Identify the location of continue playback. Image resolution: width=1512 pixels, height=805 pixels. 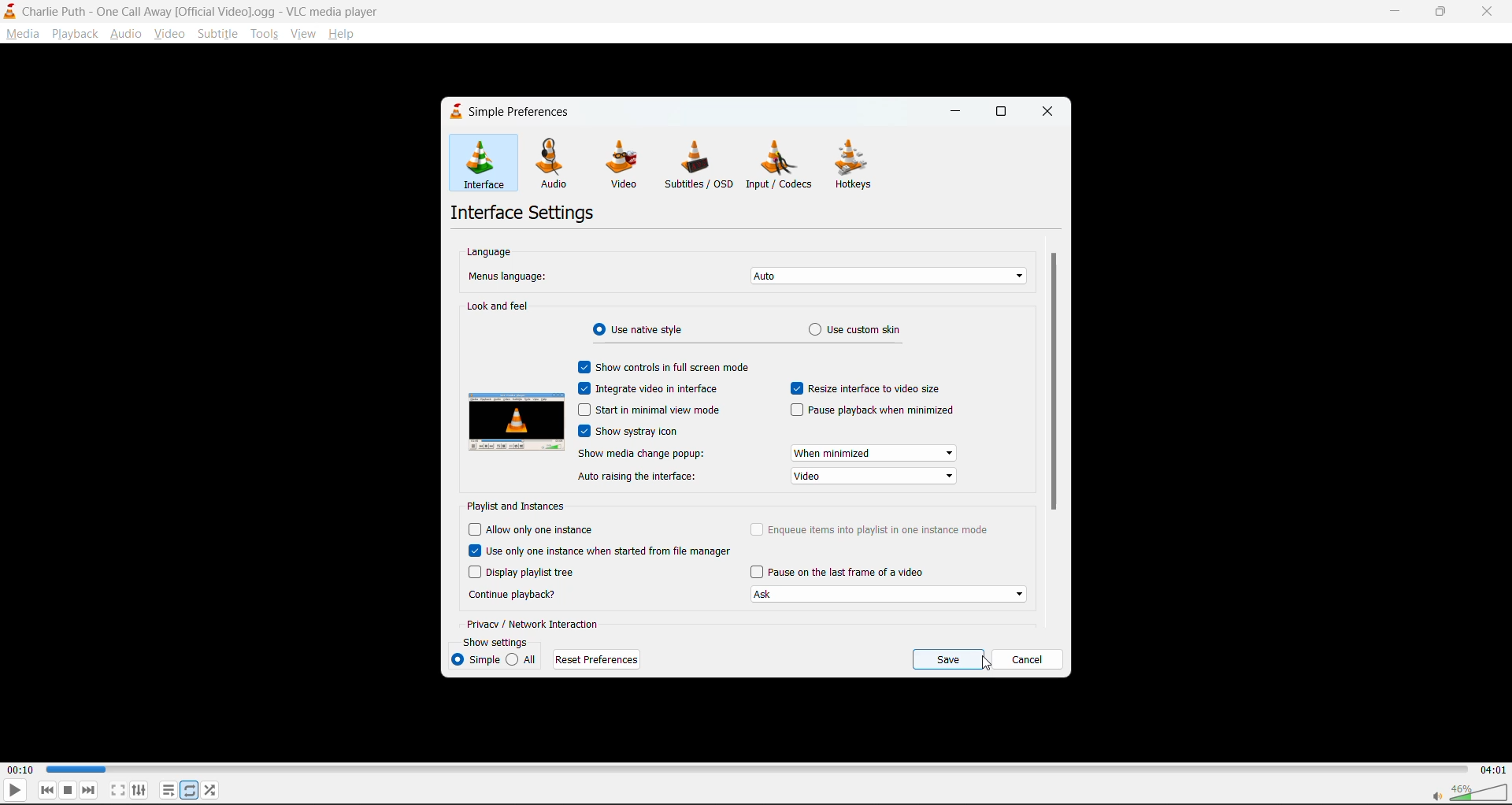
(515, 595).